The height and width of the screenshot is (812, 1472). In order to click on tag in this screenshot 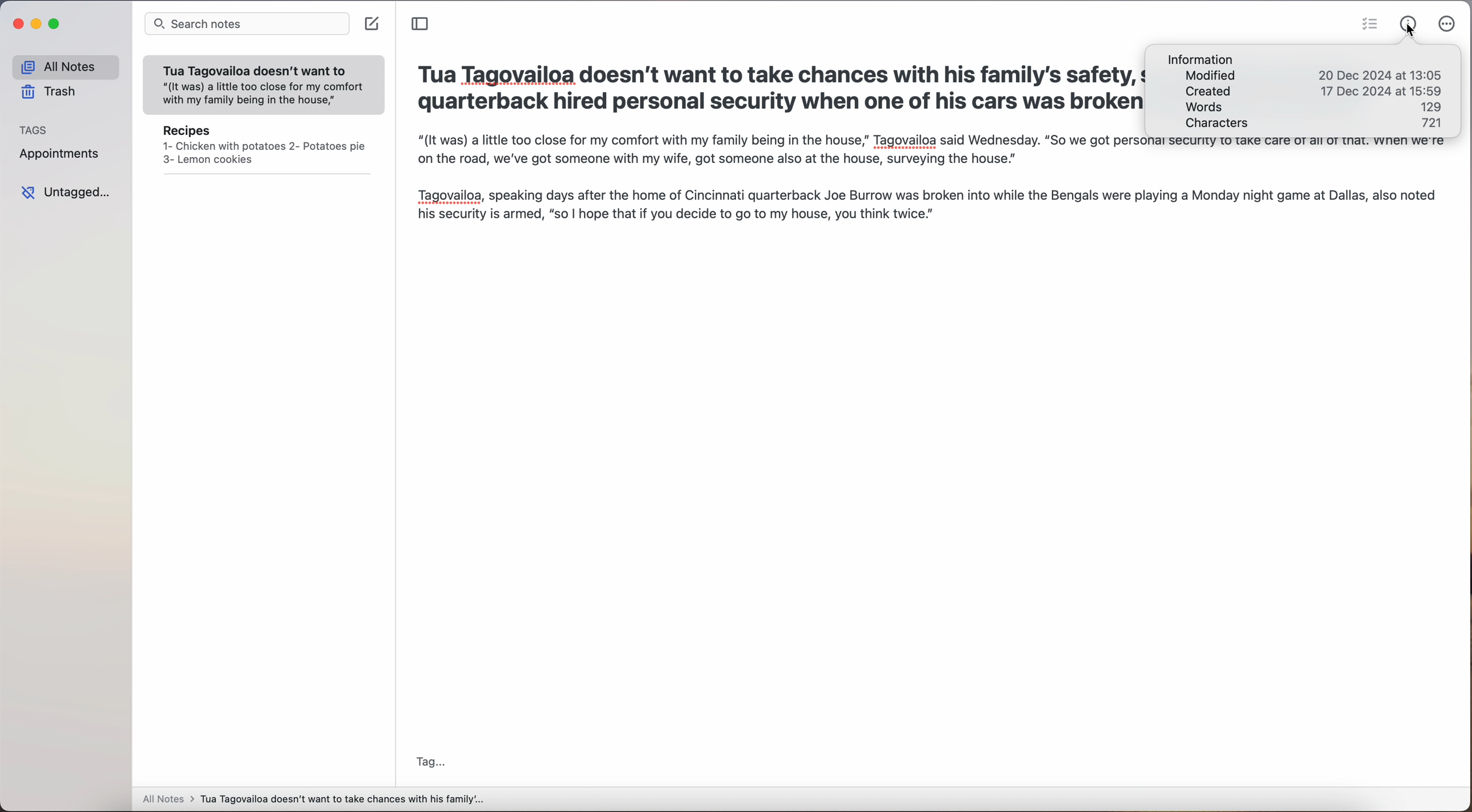, I will do `click(434, 760)`.